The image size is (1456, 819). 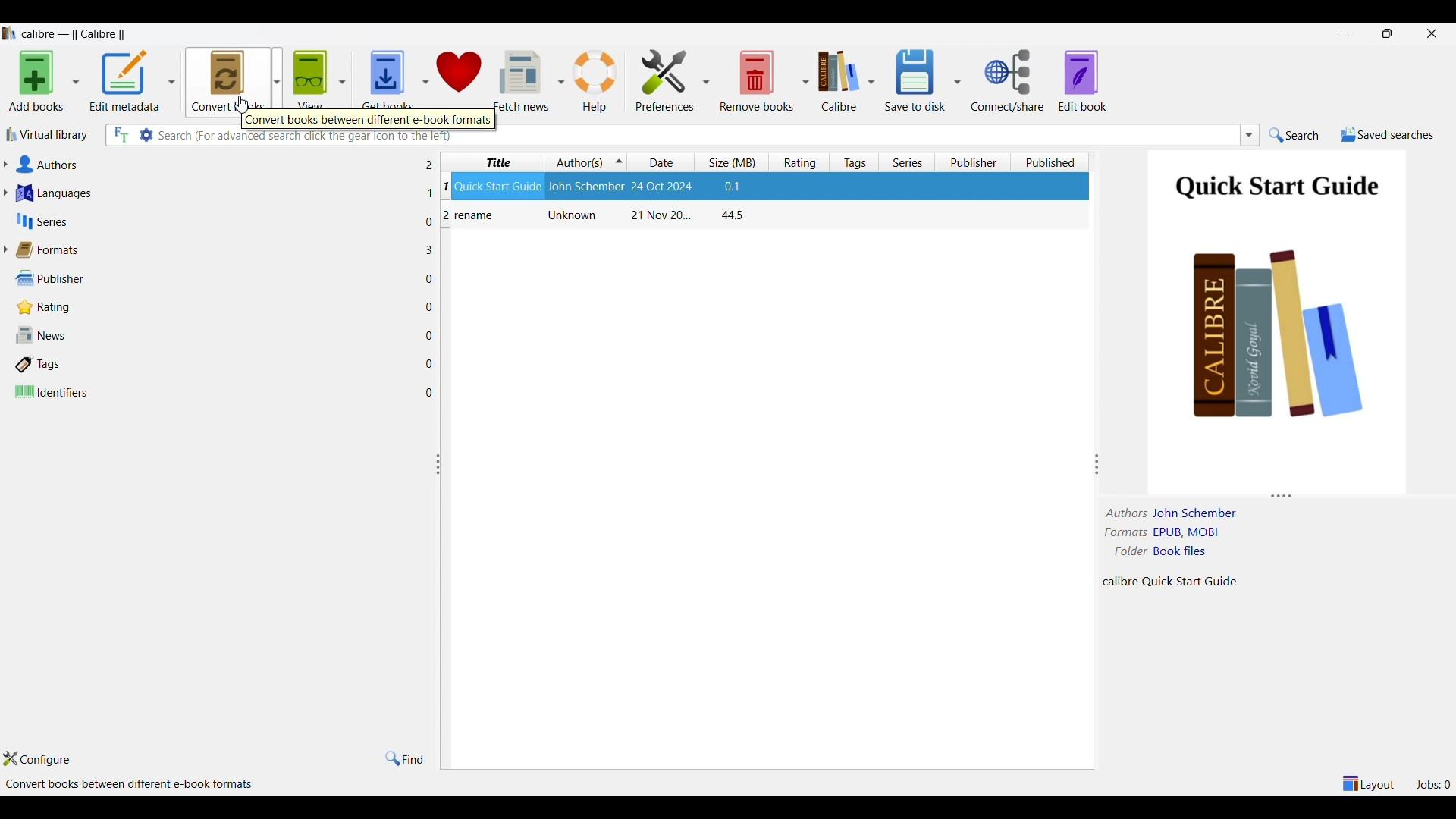 What do you see at coordinates (366, 121) in the screenshot?
I see `Description of selected icon` at bounding box center [366, 121].